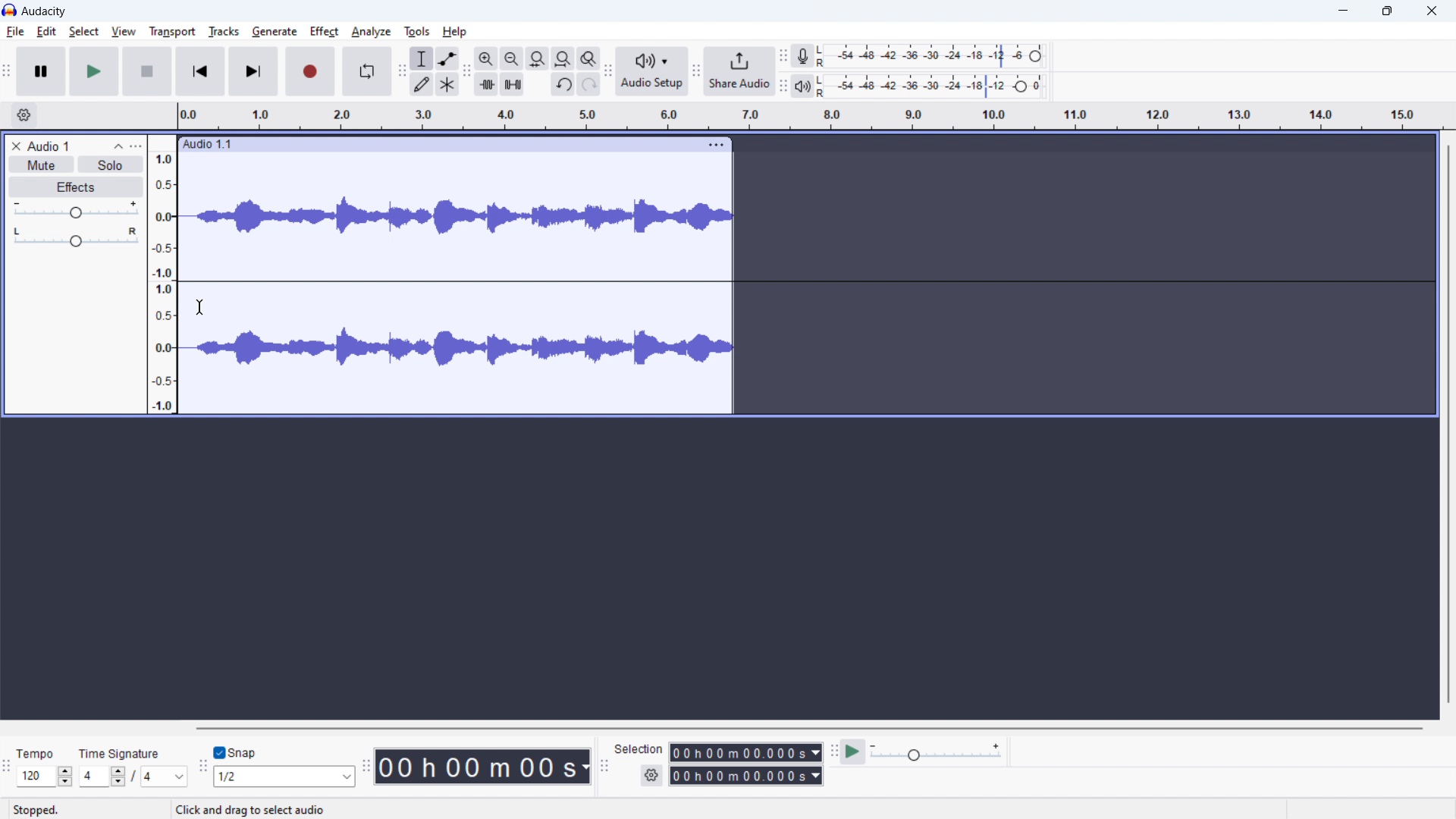 The width and height of the screenshot is (1456, 819). What do you see at coordinates (447, 84) in the screenshot?
I see `multi tool` at bounding box center [447, 84].